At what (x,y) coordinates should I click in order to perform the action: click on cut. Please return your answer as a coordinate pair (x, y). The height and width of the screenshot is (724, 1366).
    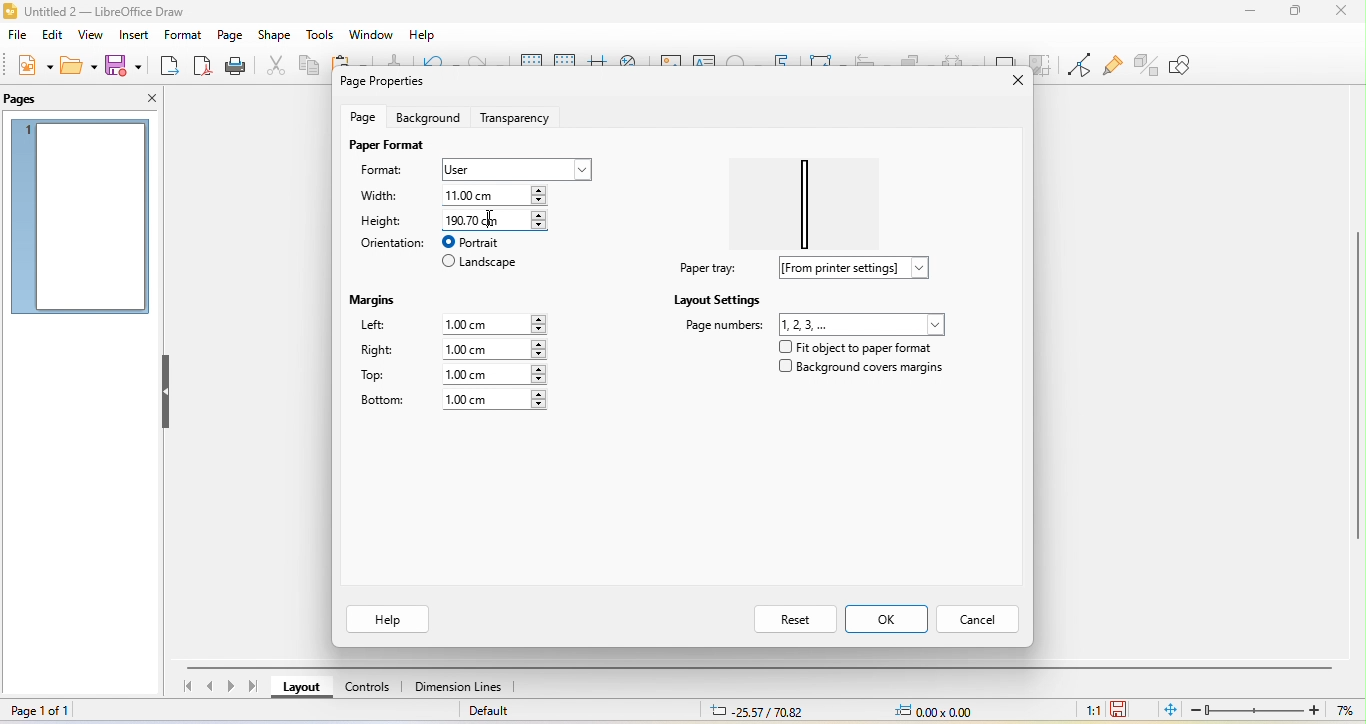
    Looking at the image, I should click on (272, 65).